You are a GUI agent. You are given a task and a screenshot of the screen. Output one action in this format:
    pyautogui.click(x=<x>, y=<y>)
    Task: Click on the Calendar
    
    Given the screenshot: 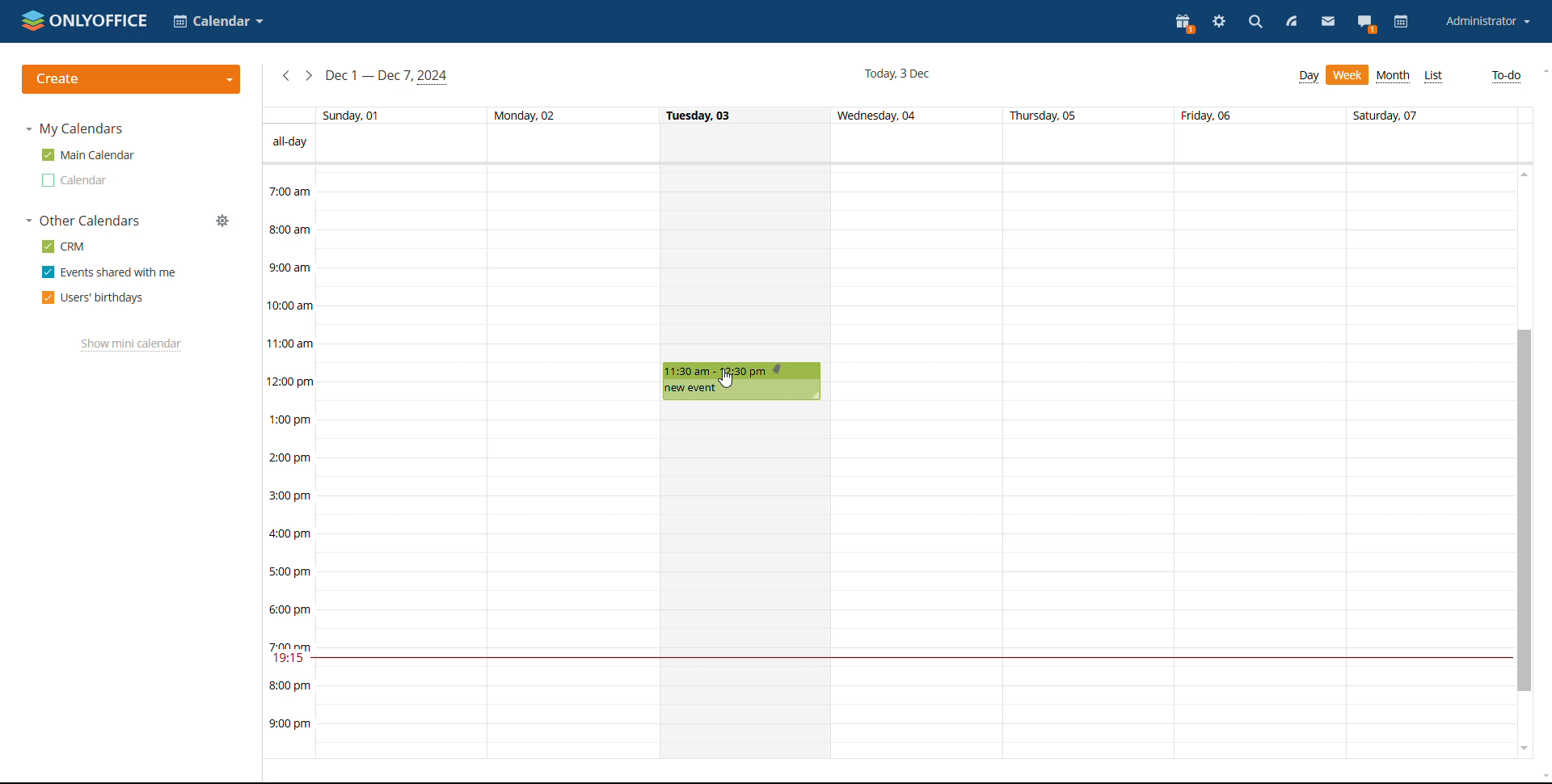 What is the action you would take?
    pyautogui.click(x=219, y=21)
    